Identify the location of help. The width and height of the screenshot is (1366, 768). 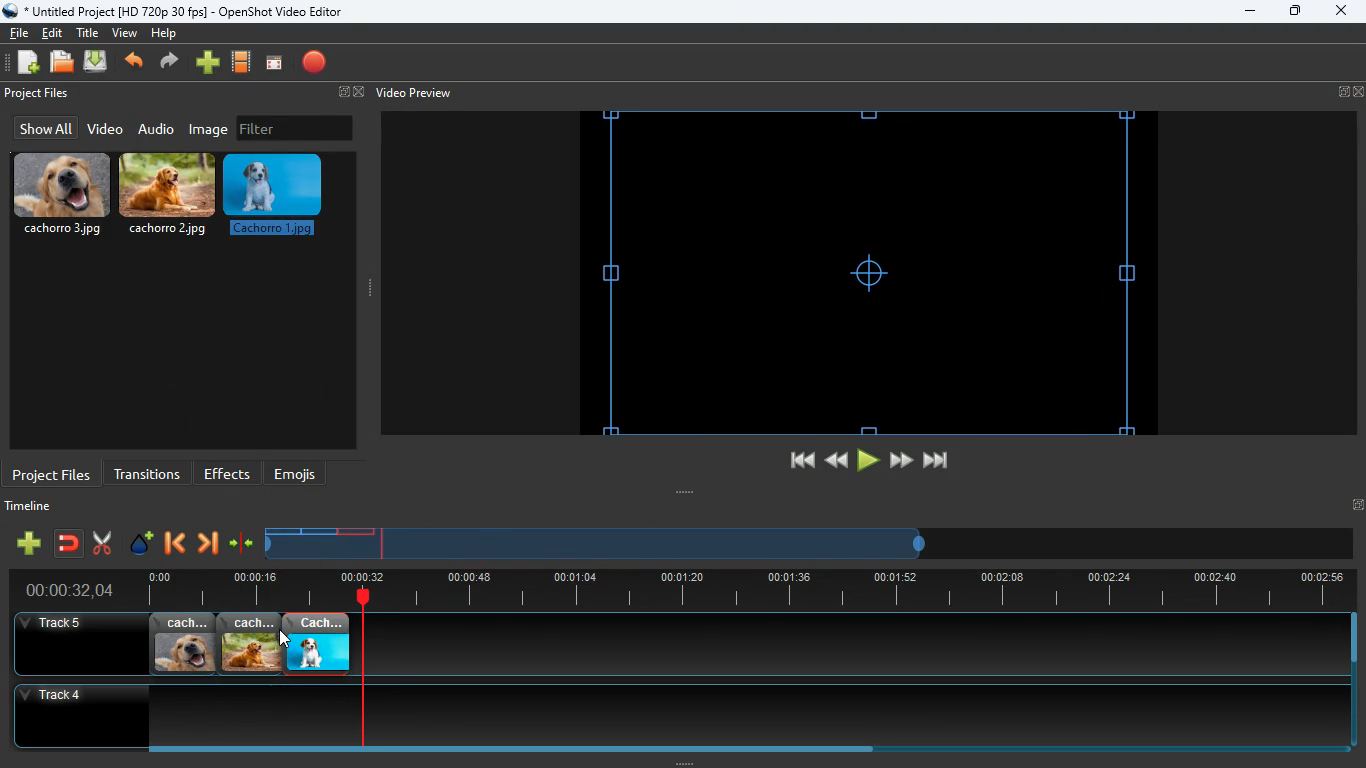
(163, 36).